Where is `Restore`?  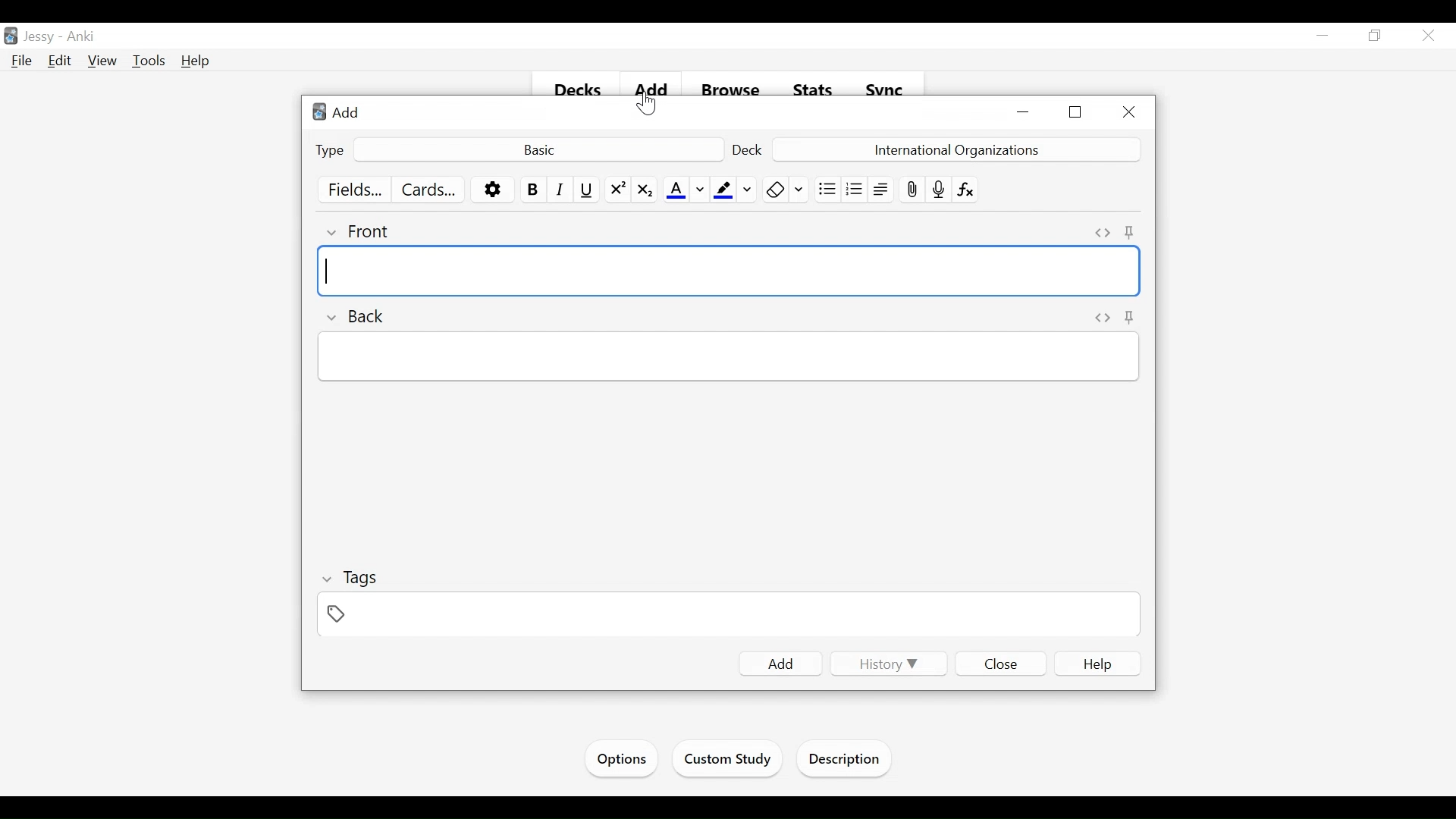 Restore is located at coordinates (1077, 112).